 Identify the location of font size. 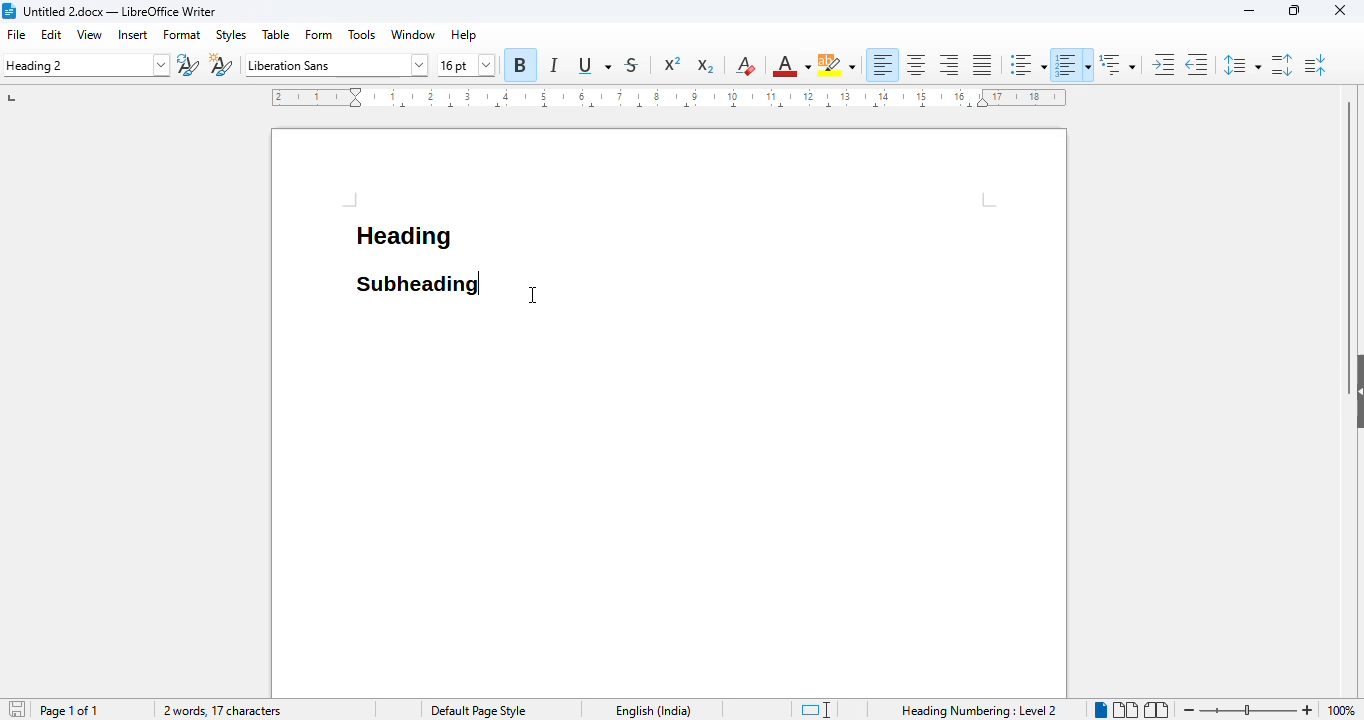
(466, 65).